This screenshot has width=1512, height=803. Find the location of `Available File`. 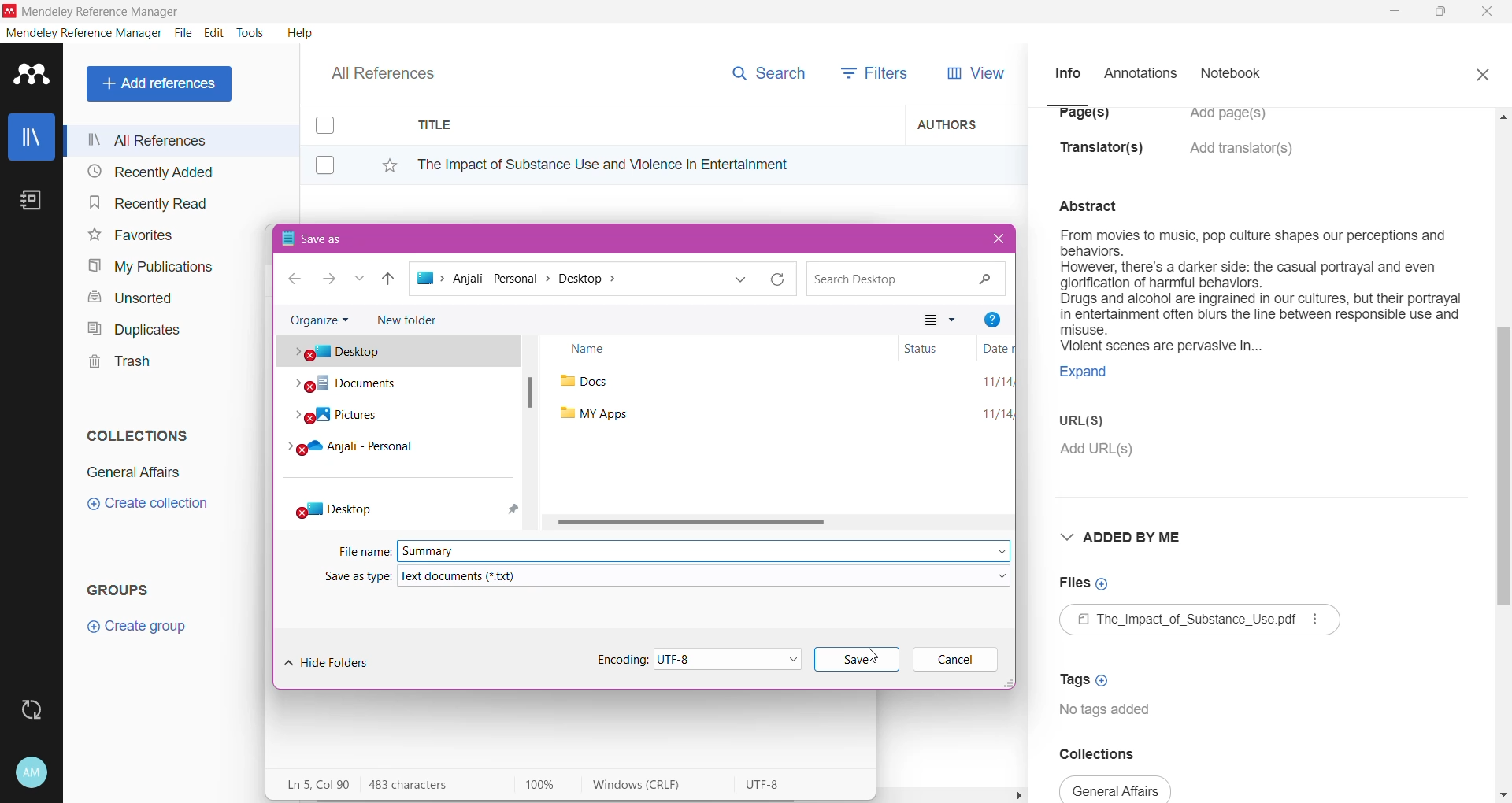

Available File is located at coordinates (1202, 622).